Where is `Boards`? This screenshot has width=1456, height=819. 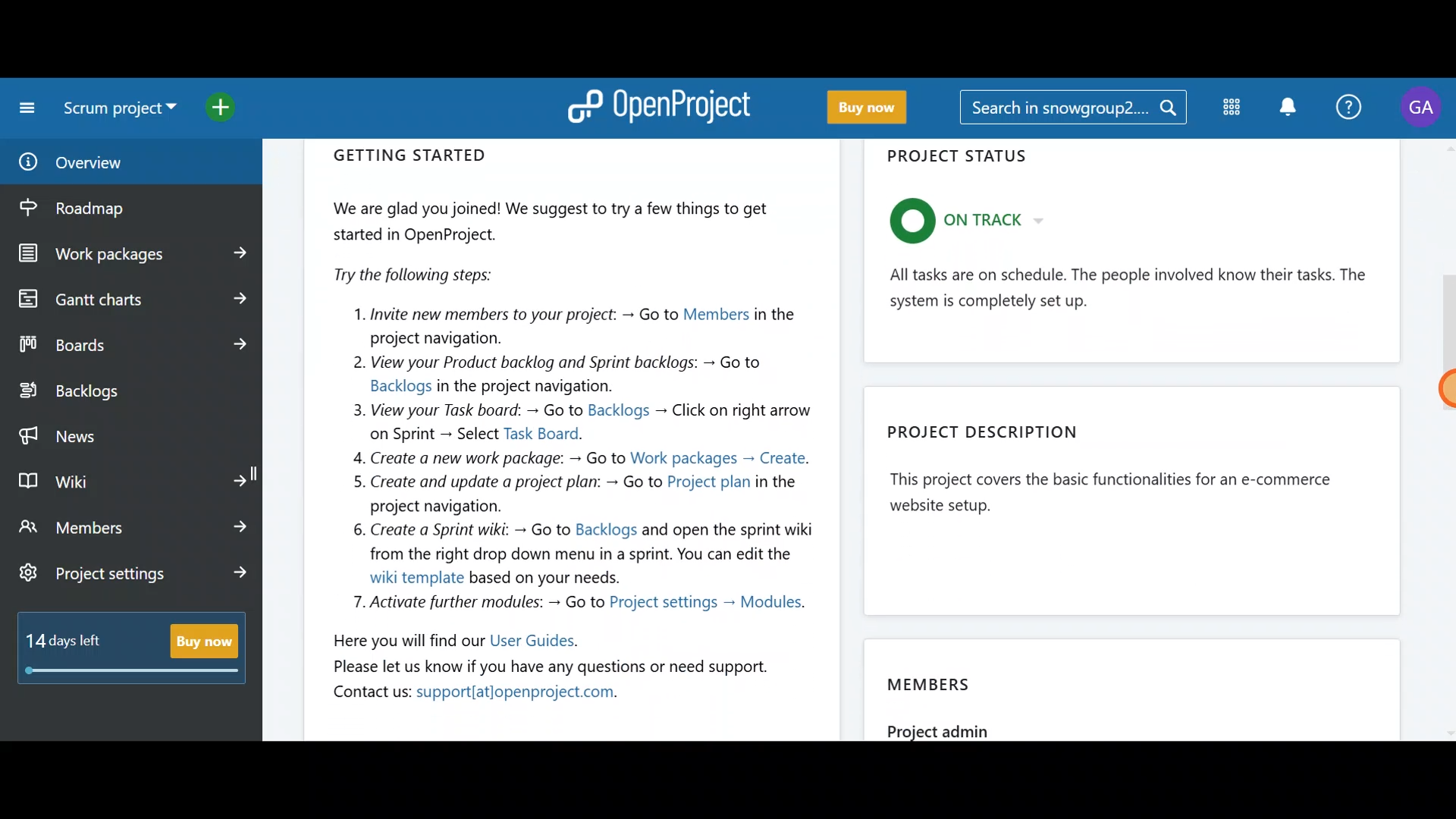 Boards is located at coordinates (131, 344).